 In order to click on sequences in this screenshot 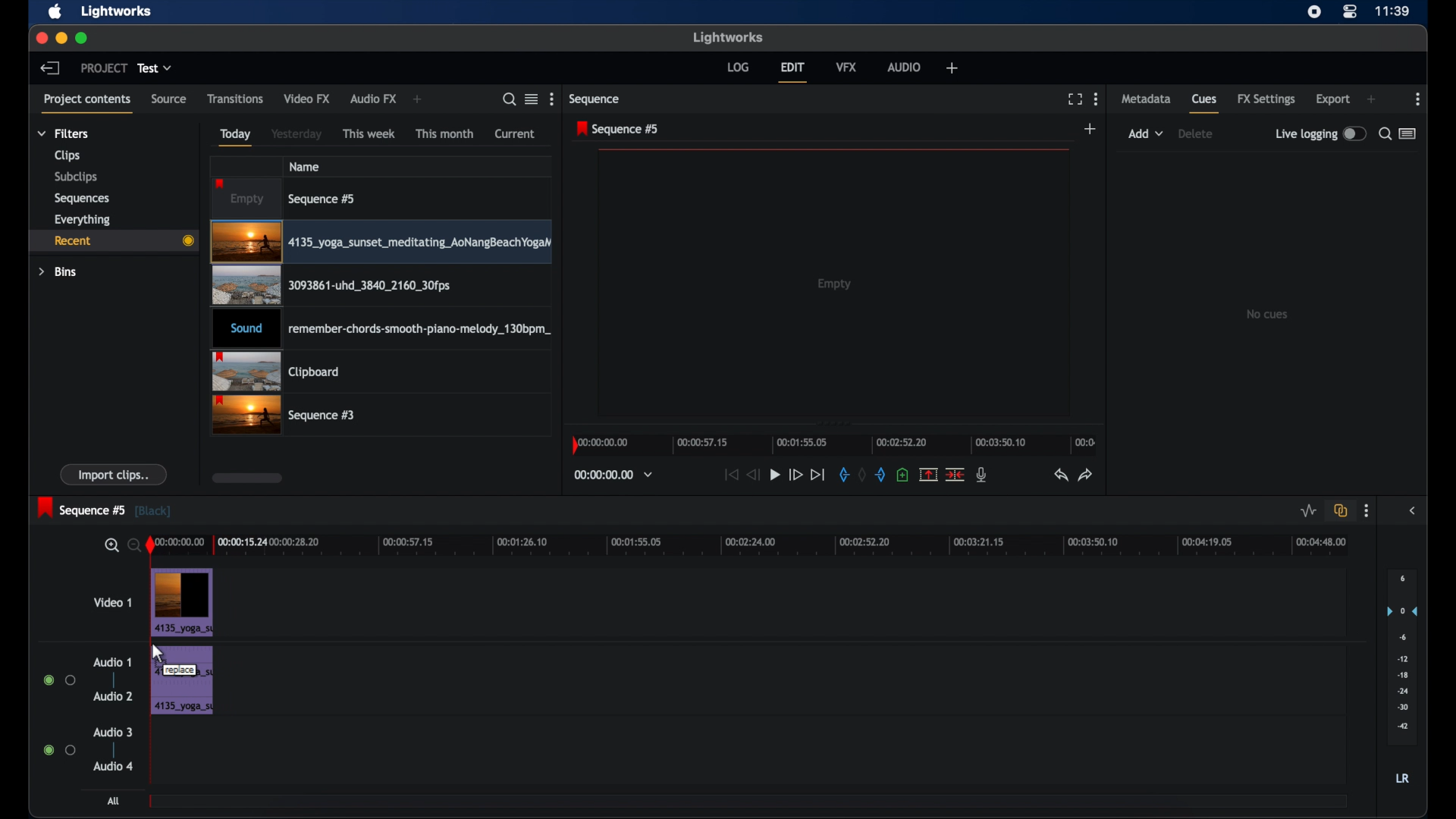, I will do `click(81, 199)`.